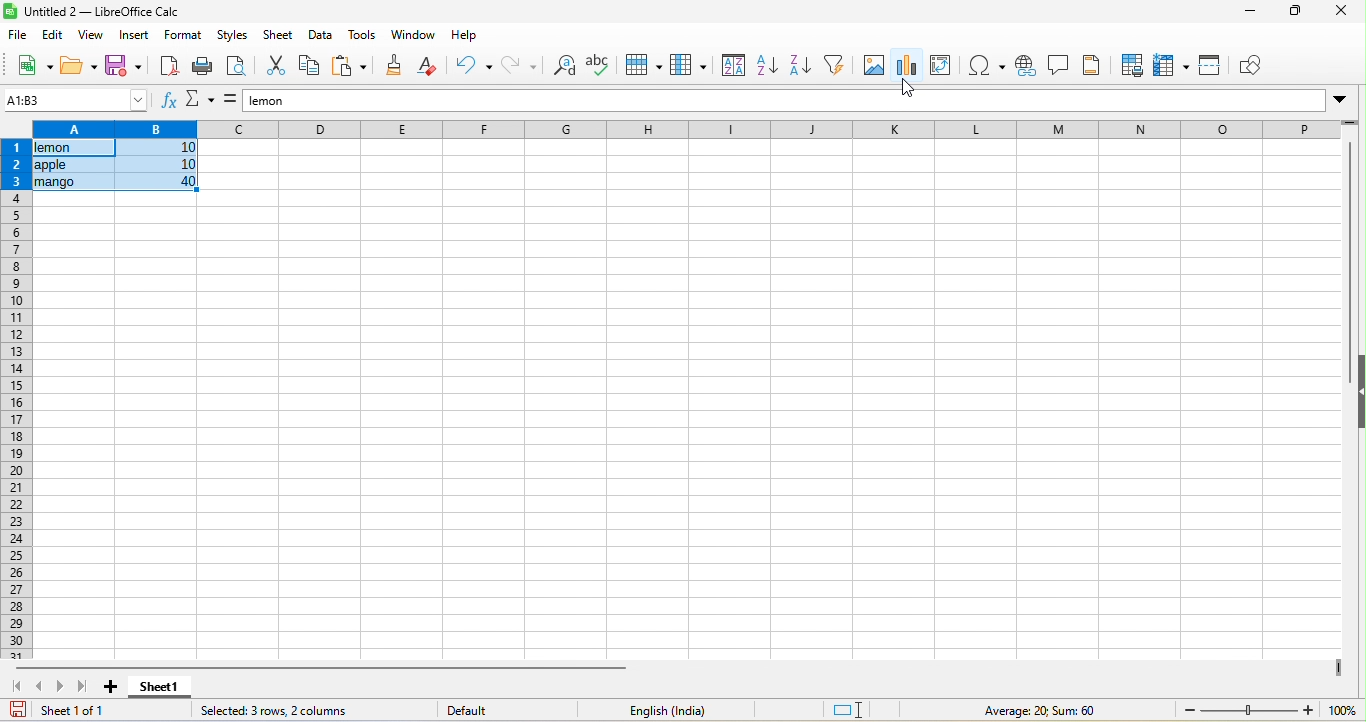  What do you see at coordinates (428, 68) in the screenshot?
I see `clear direct formatting` at bounding box center [428, 68].